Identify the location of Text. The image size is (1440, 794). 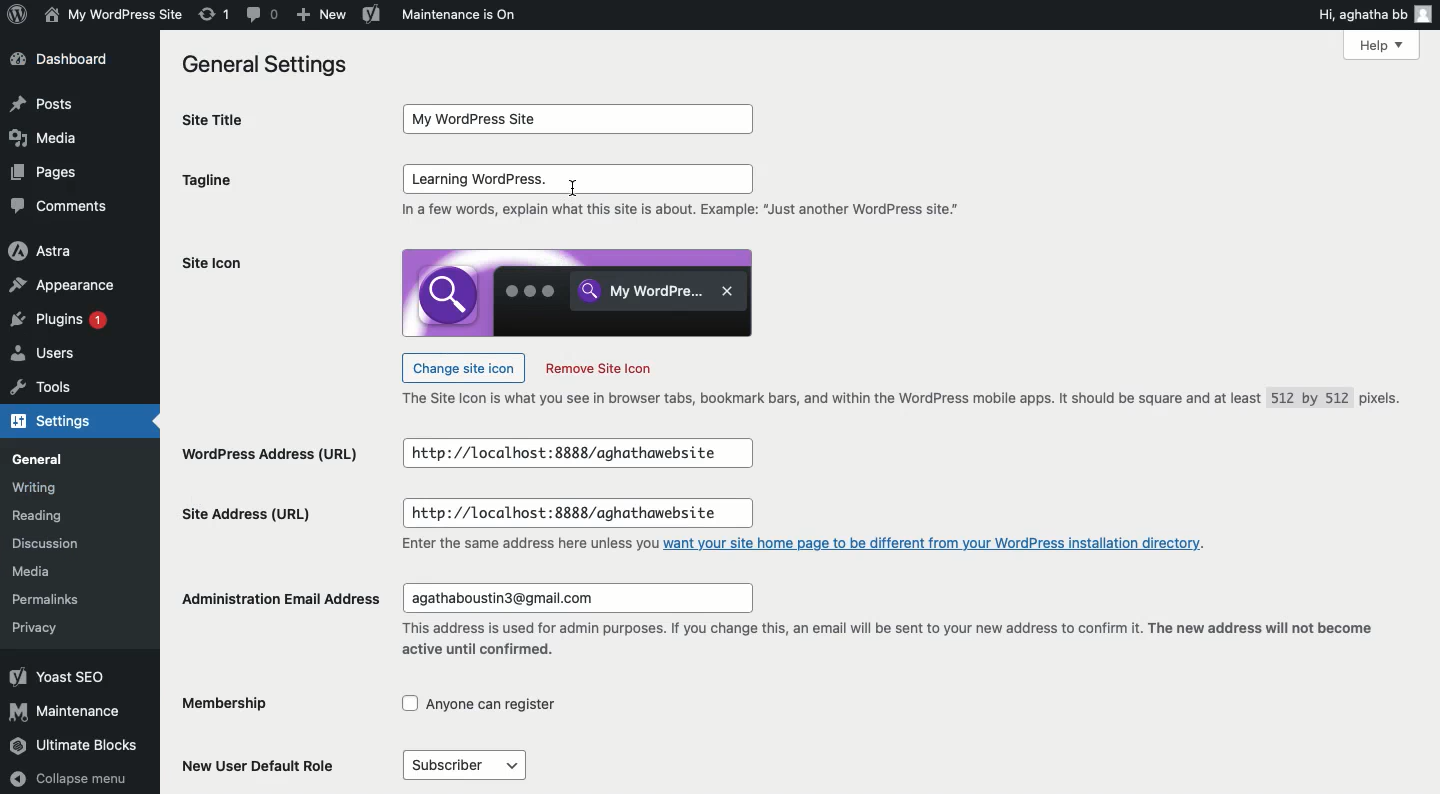
(909, 400).